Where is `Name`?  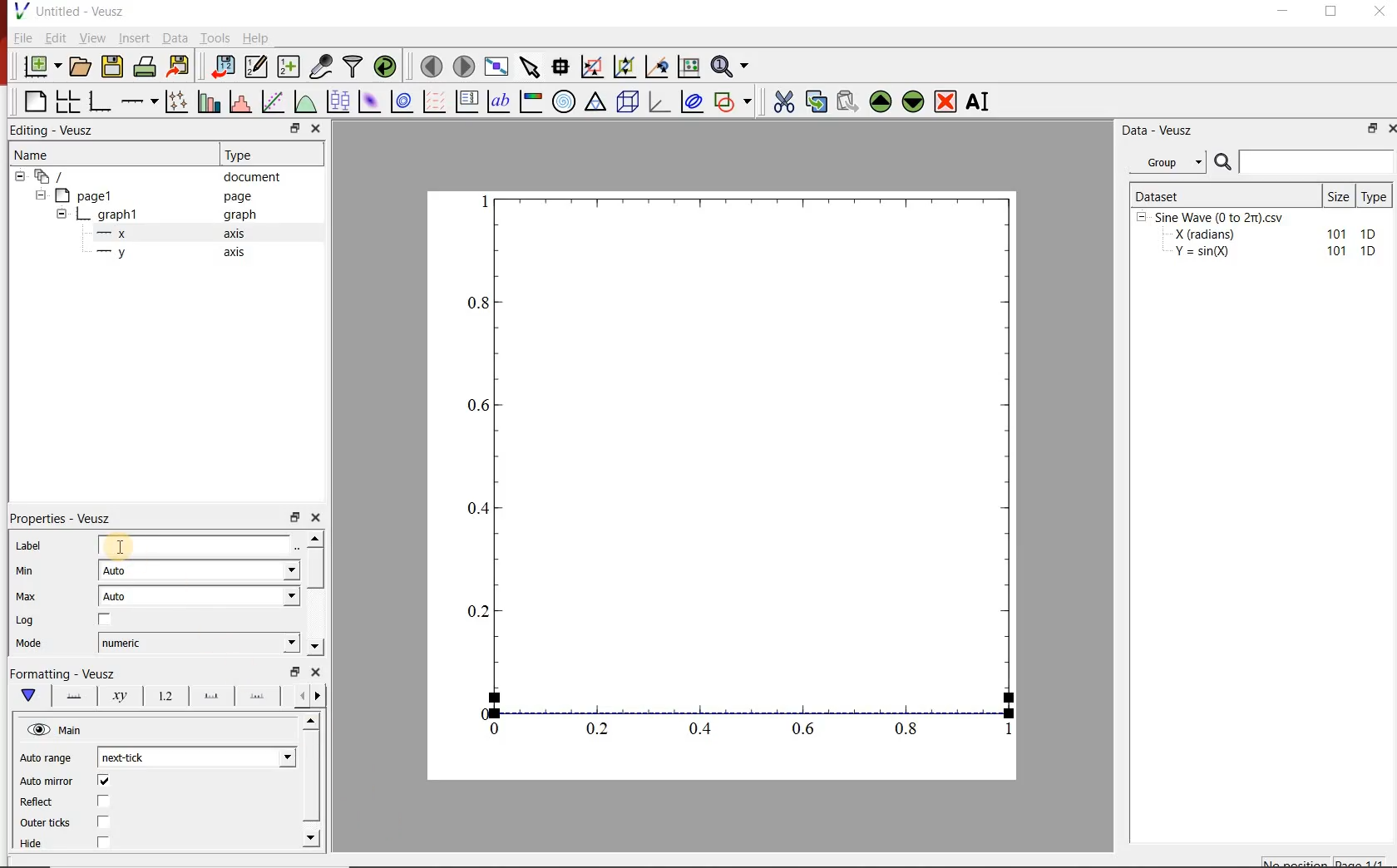 Name is located at coordinates (30, 153).